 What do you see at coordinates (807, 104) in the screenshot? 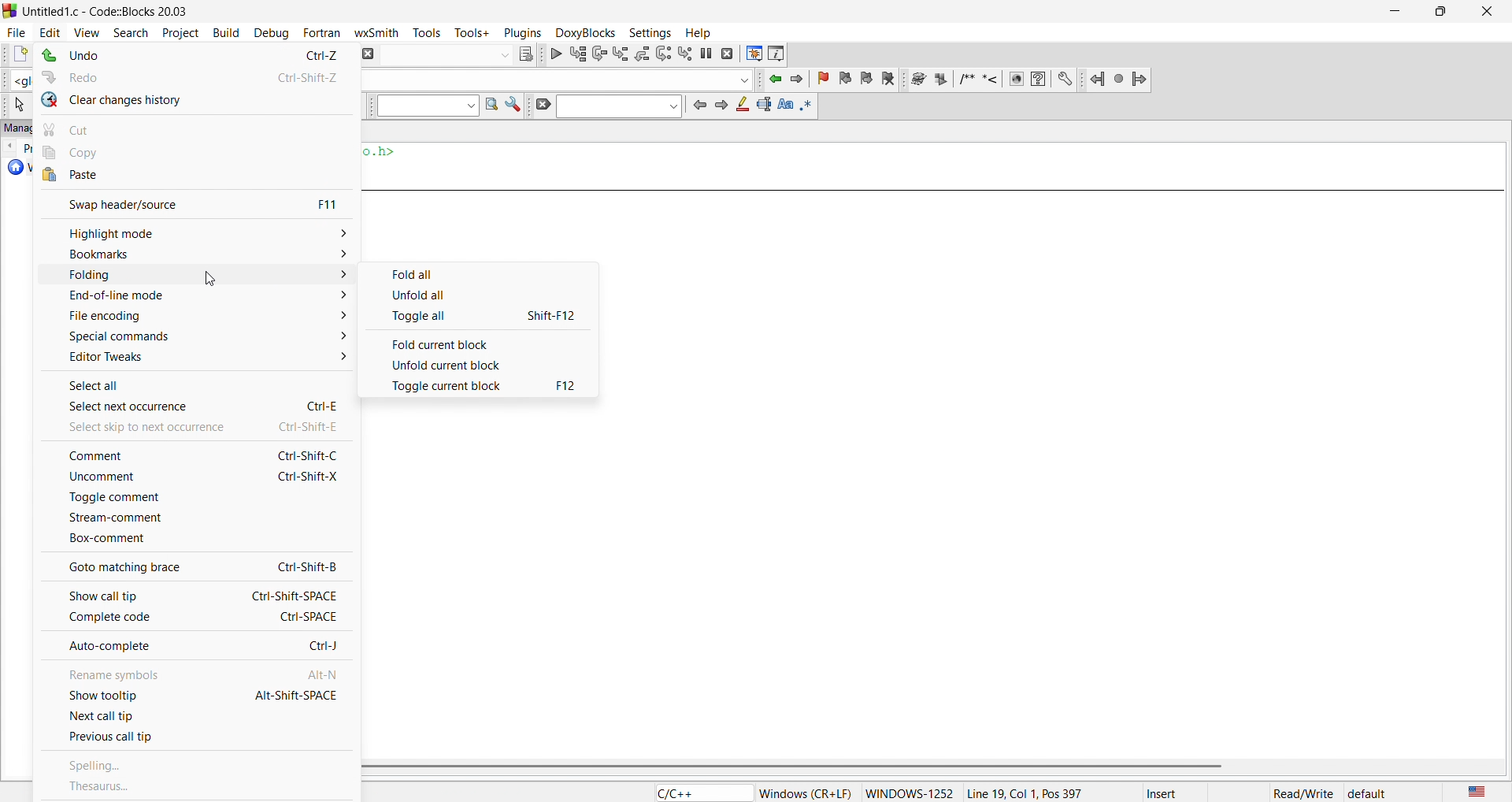
I see `use regex` at bounding box center [807, 104].